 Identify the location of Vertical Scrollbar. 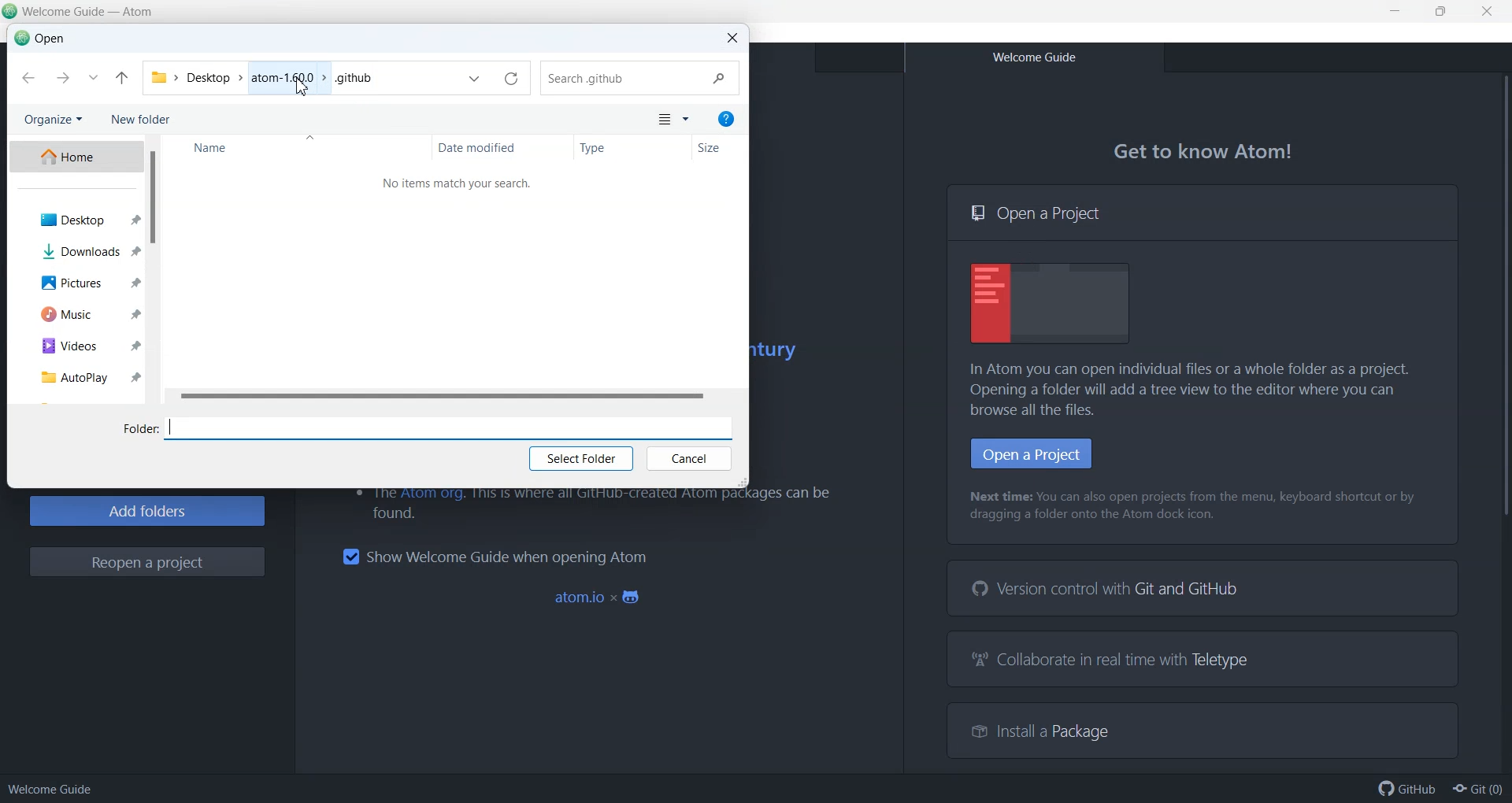
(1499, 420).